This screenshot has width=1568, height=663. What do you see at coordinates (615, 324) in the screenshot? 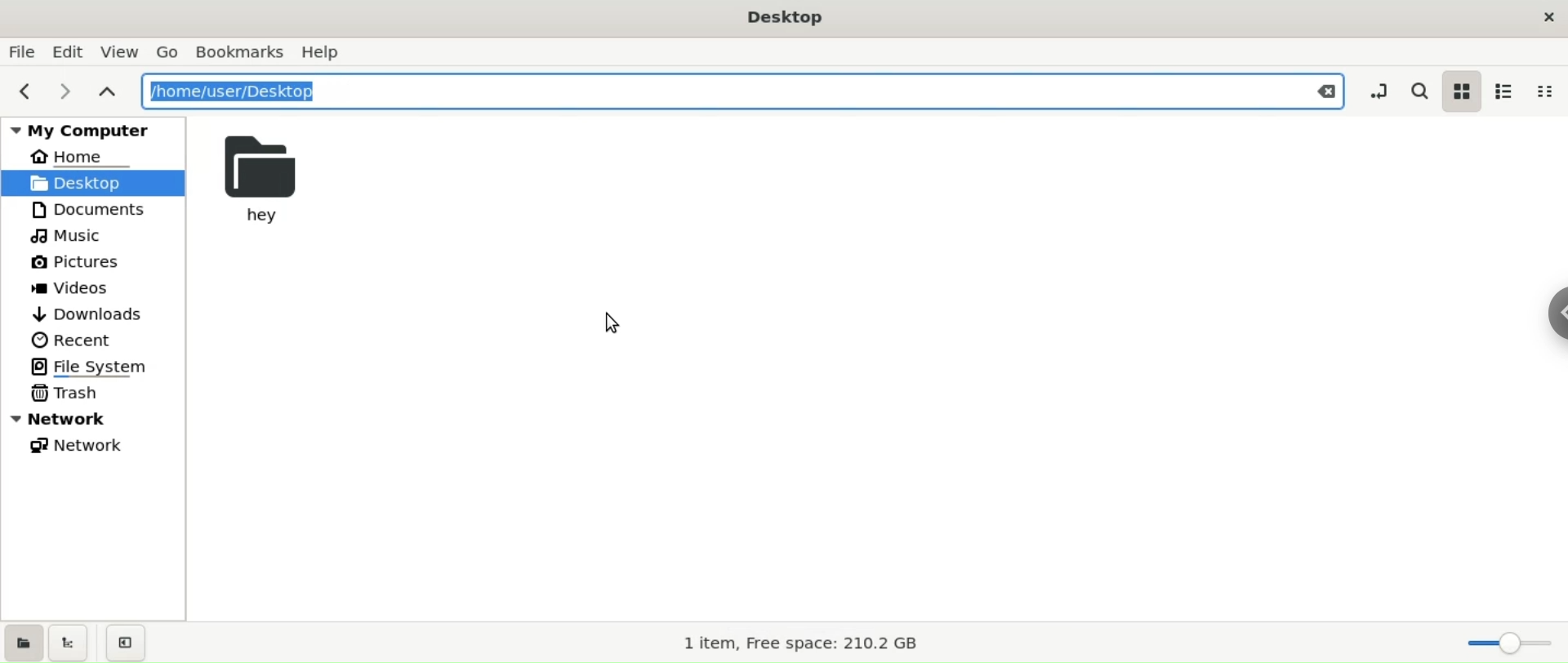
I see `cursor` at bounding box center [615, 324].